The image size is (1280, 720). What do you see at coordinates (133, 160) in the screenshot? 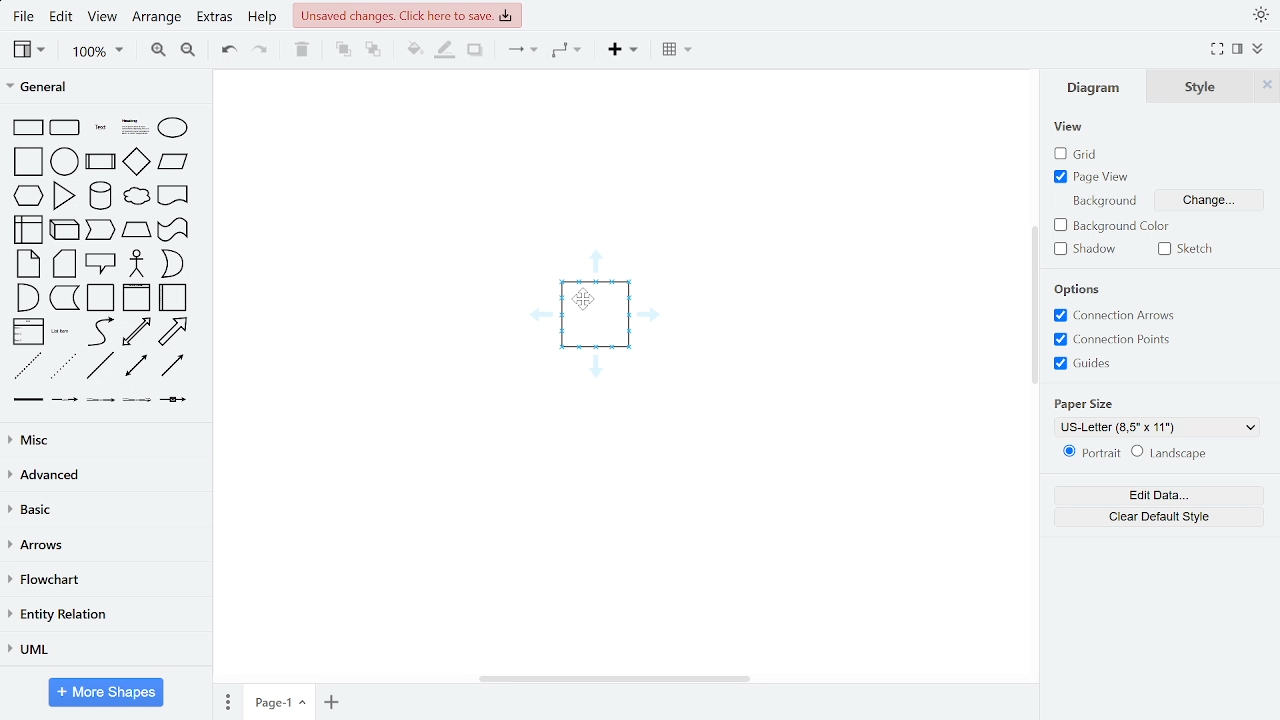
I see `general shapes` at bounding box center [133, 160].